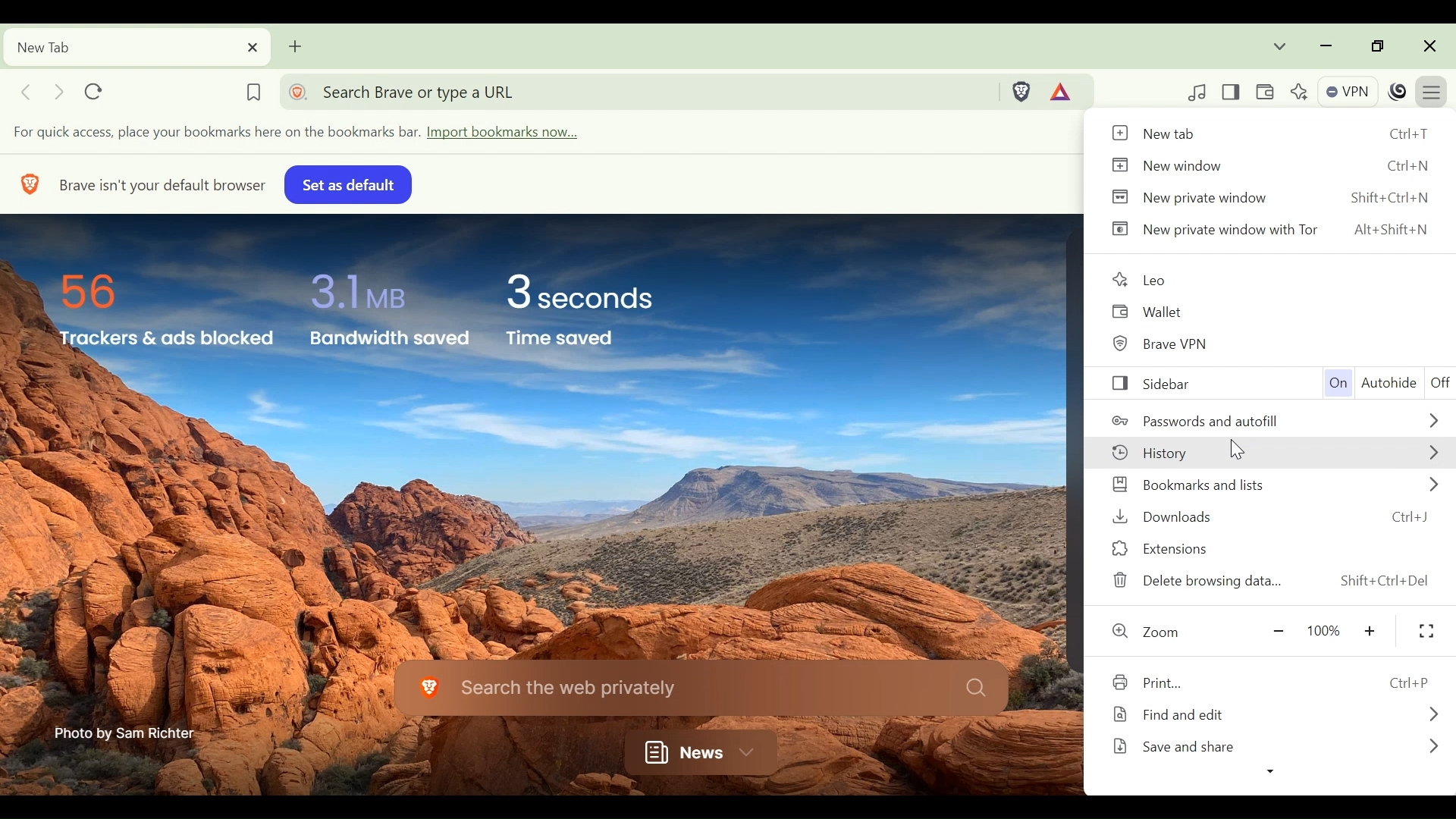  What do you see at coordinates (1172, 342) in the screenshot?
I see `Brave VPN` at bounding box center [1172, 342].